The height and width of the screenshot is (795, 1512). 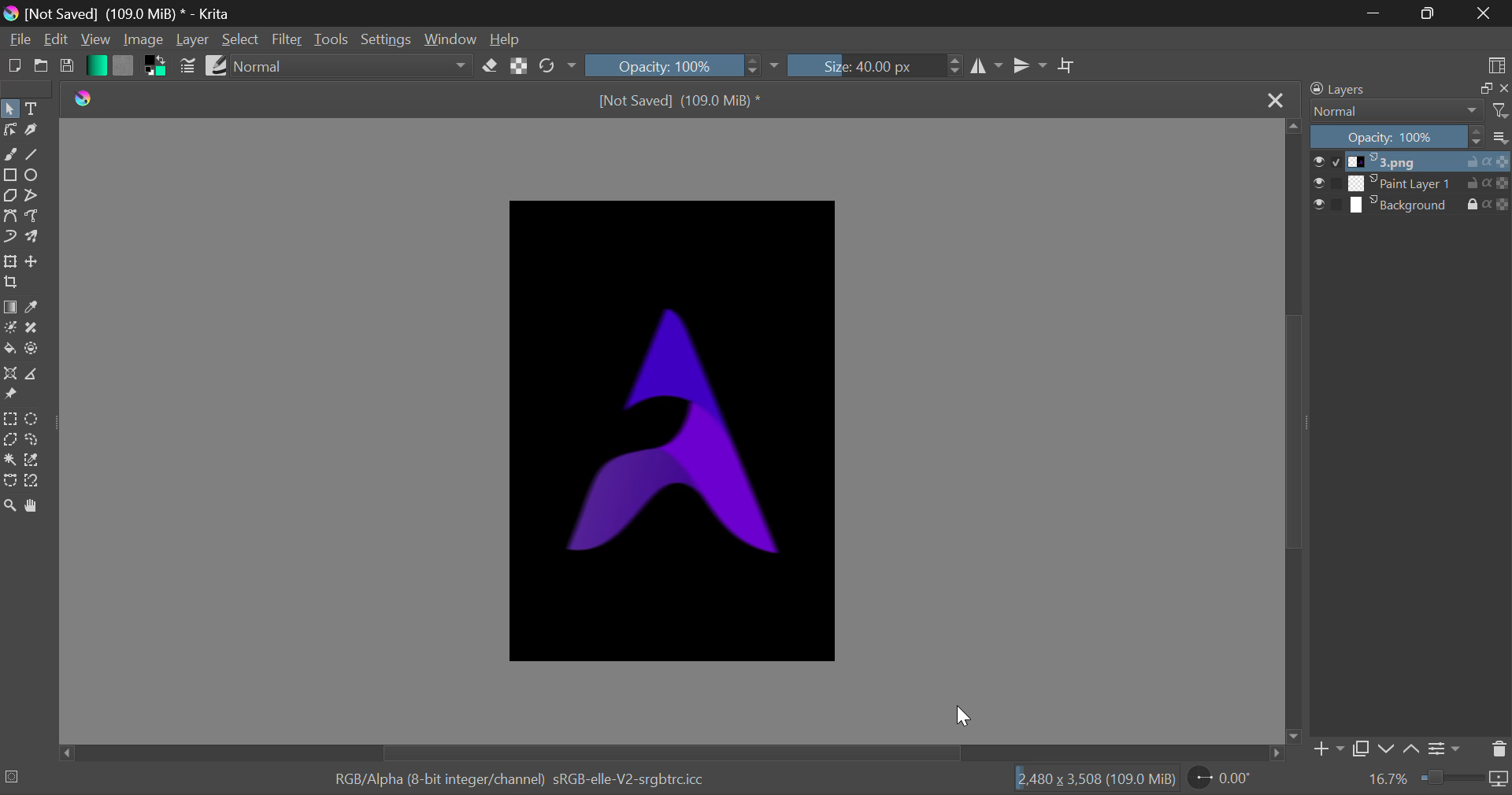 I want to click on Bezier Curve Selection Tool, so click(x=9, y=480).